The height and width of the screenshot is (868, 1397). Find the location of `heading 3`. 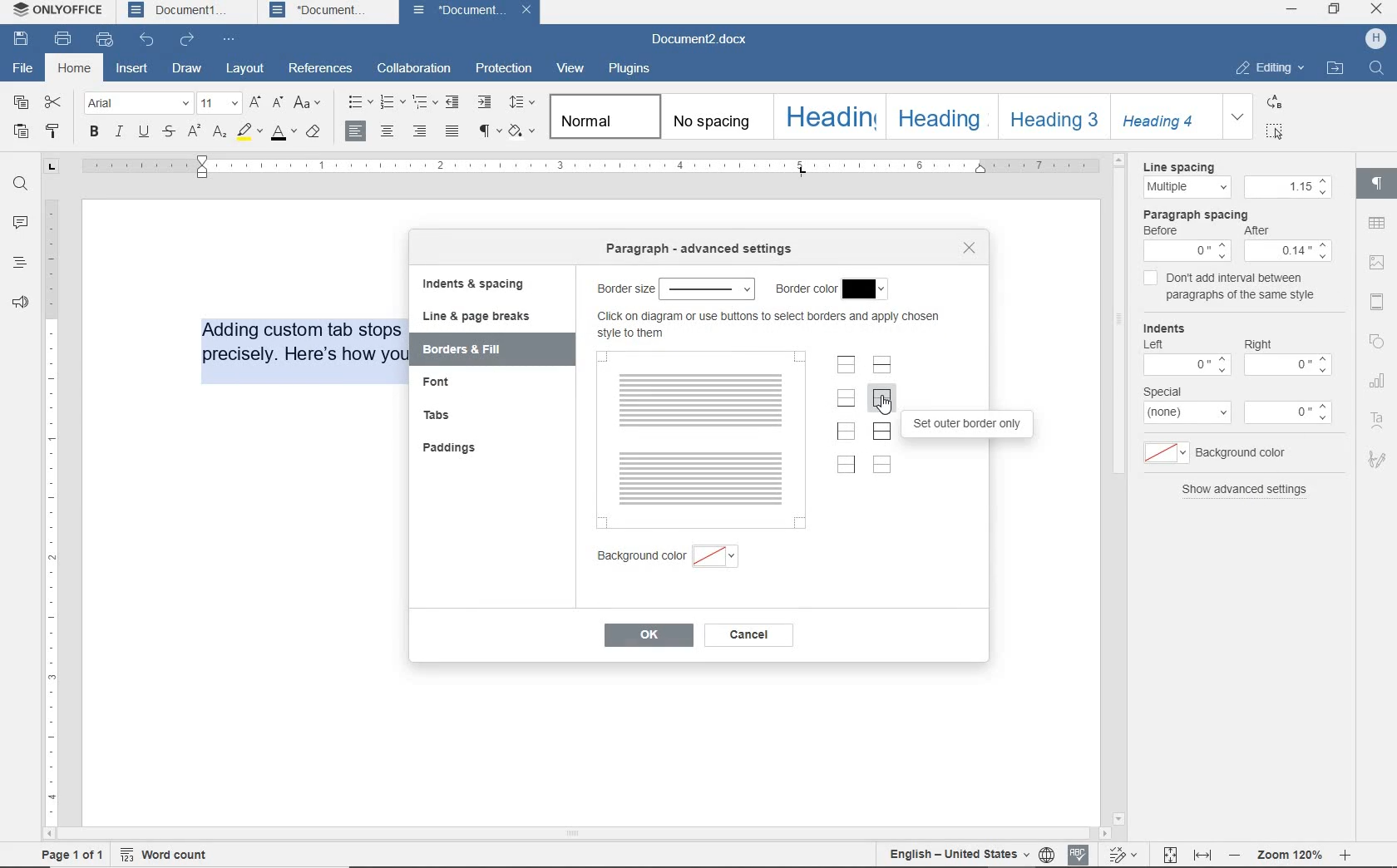

heading 3 is located at coordinates (1054, 118).